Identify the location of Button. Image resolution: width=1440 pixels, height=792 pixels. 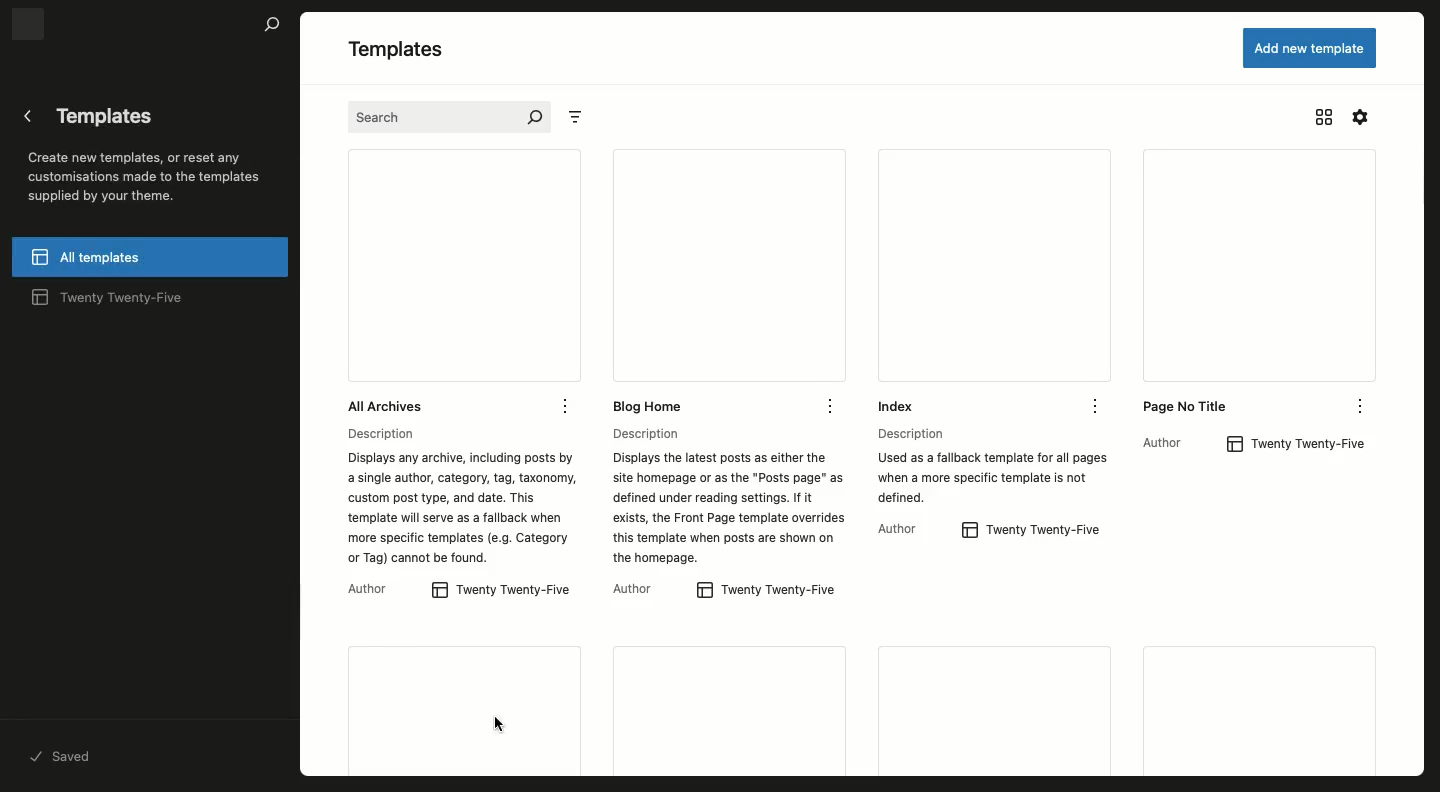
(1231, 443).